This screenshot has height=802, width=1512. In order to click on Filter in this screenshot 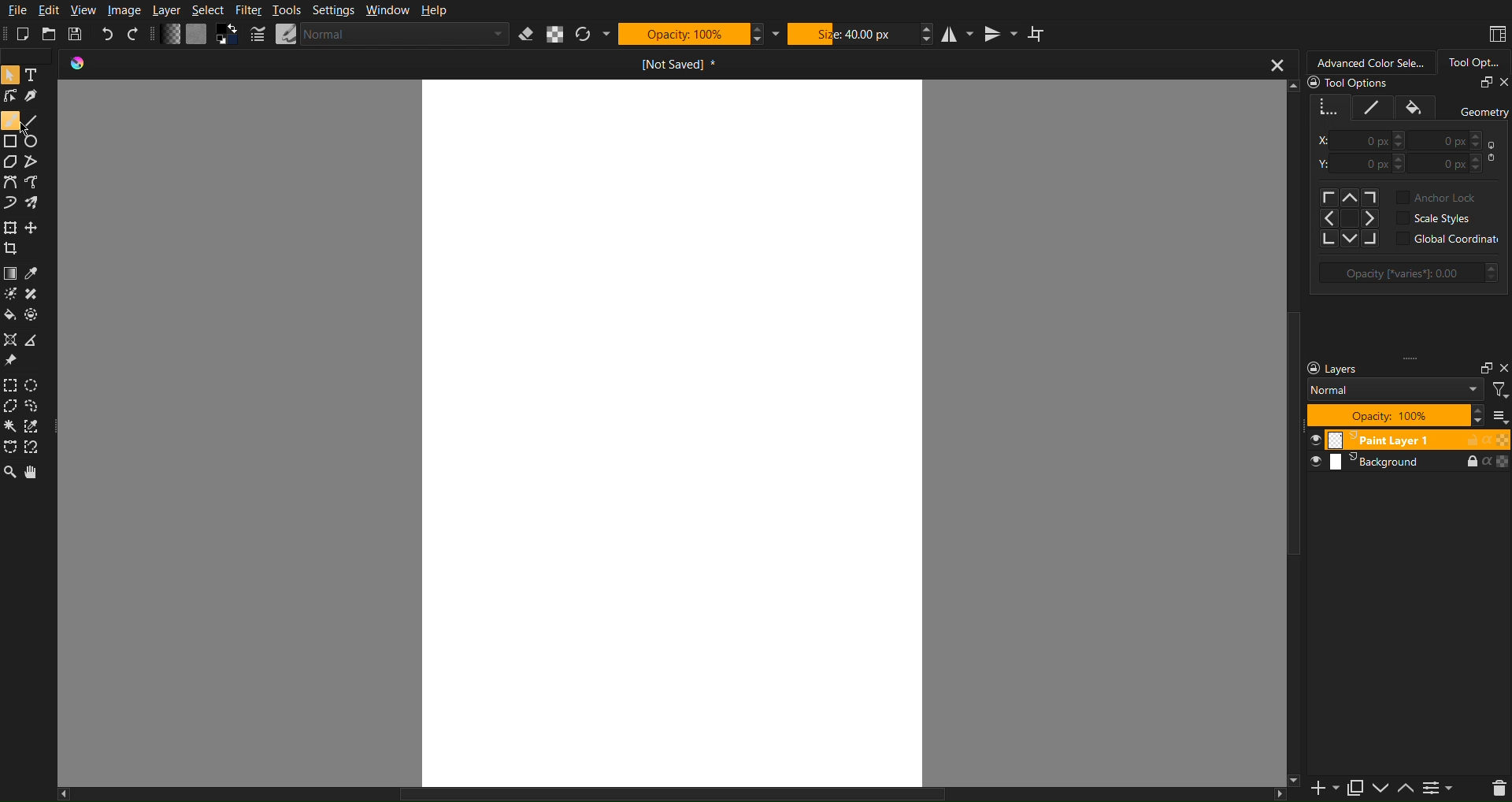, I will do `click(1500, 391)`.